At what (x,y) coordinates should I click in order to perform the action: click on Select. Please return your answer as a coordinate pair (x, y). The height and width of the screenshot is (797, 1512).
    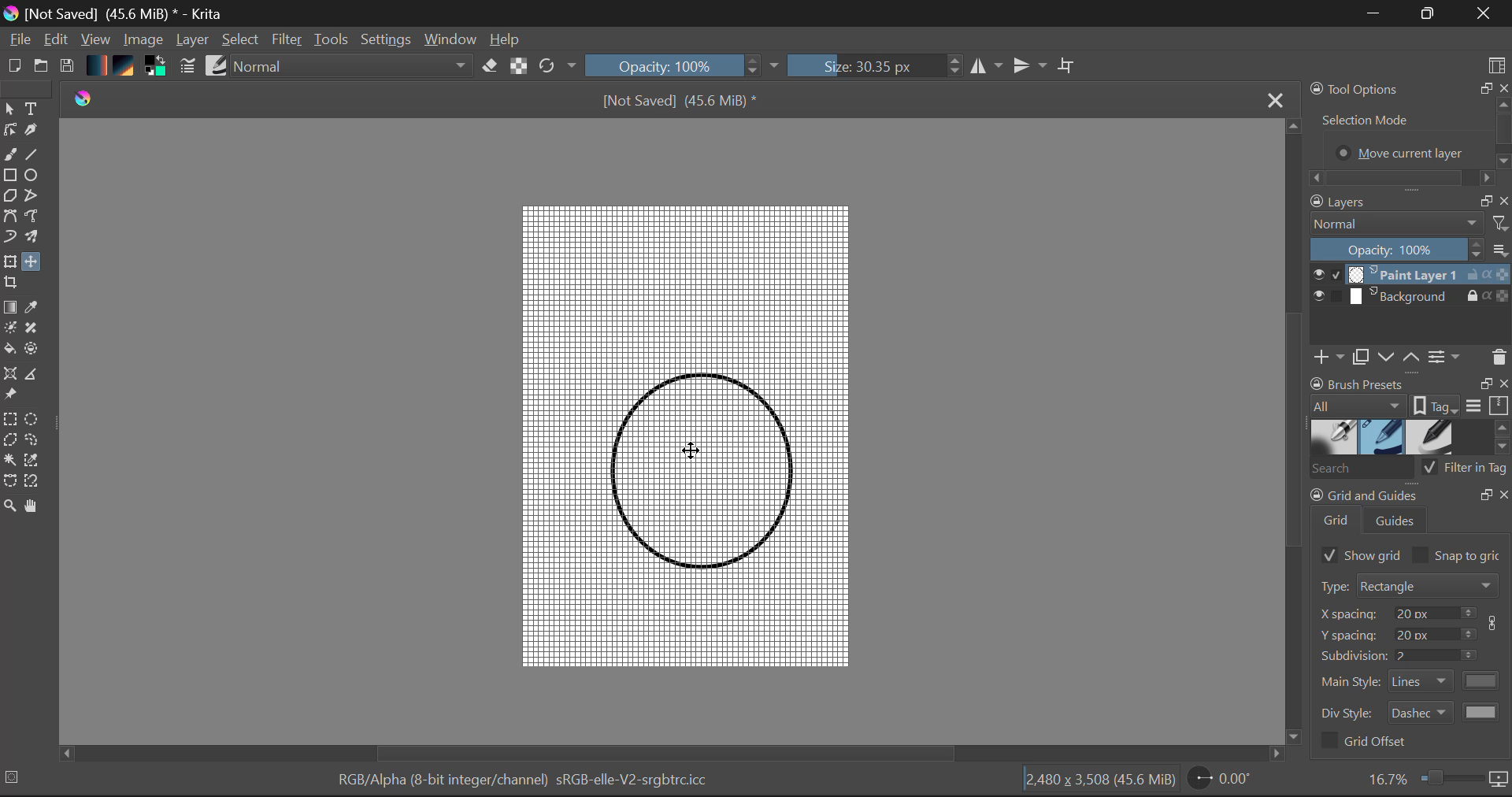
    Looking at the image, I should click on (241, 40).